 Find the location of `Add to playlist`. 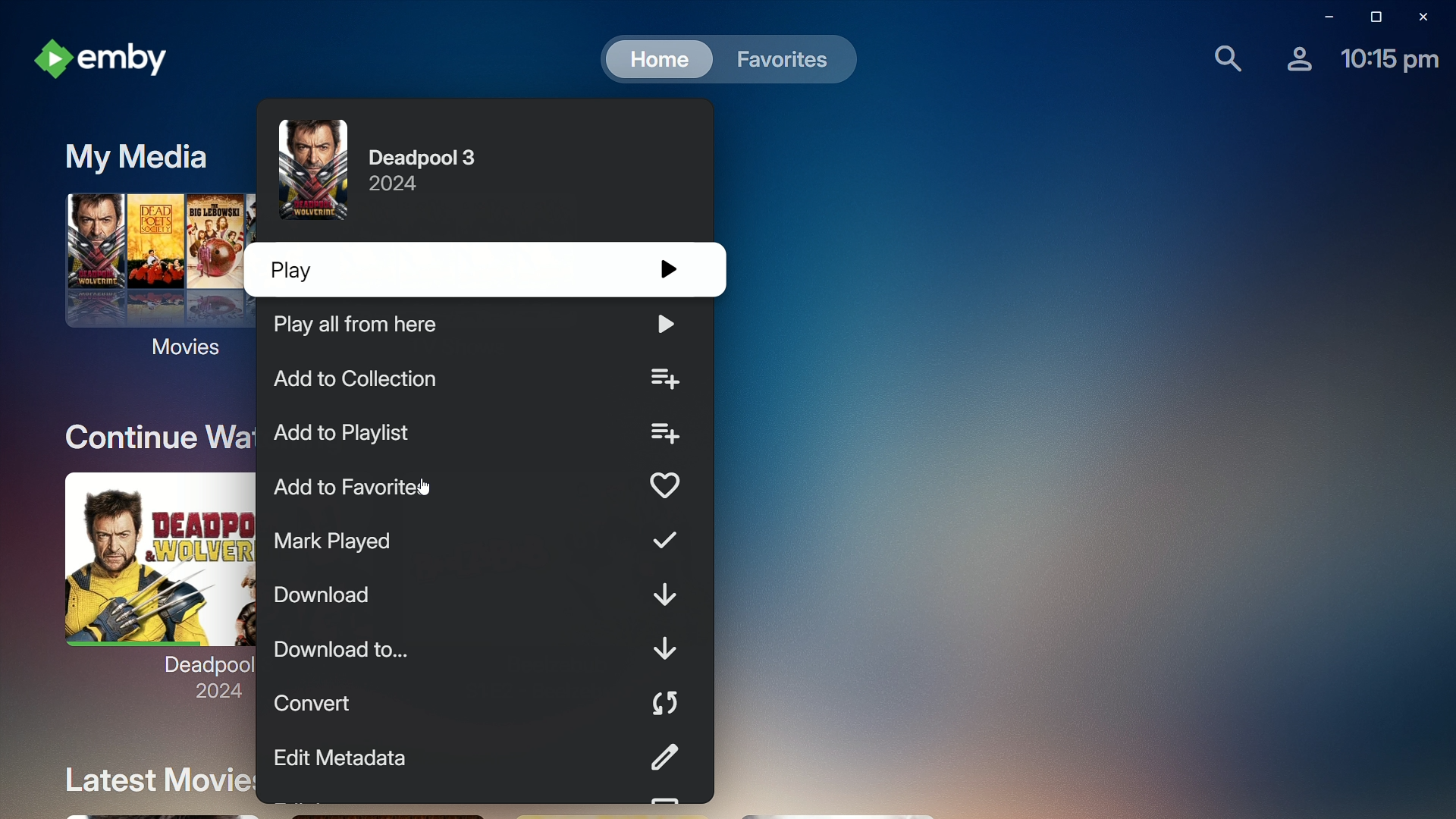

Add to playlist is located at coordinates (482, 437).